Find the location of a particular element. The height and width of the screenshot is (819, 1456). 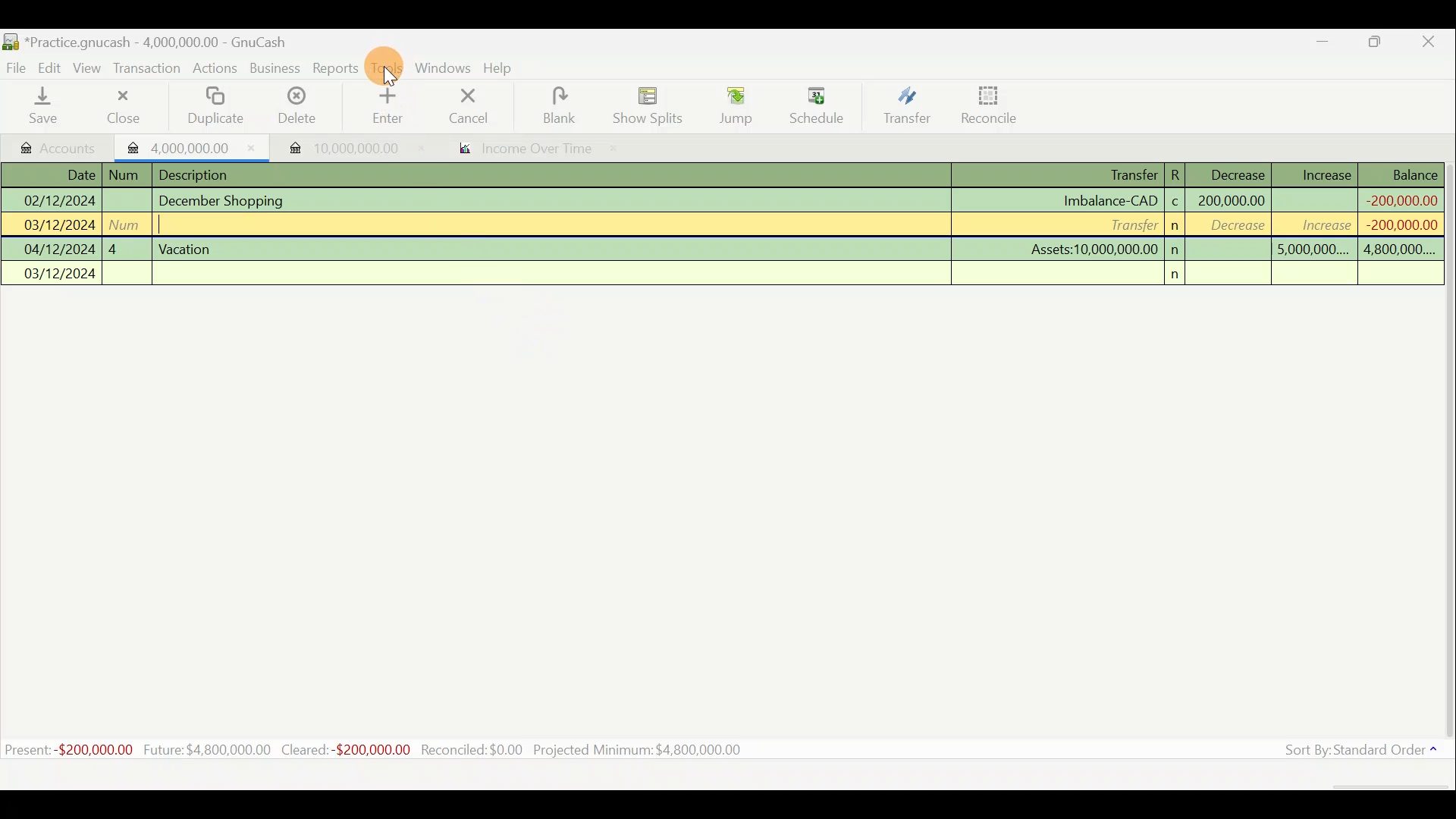

Document name is located at coordinates (145, 39).